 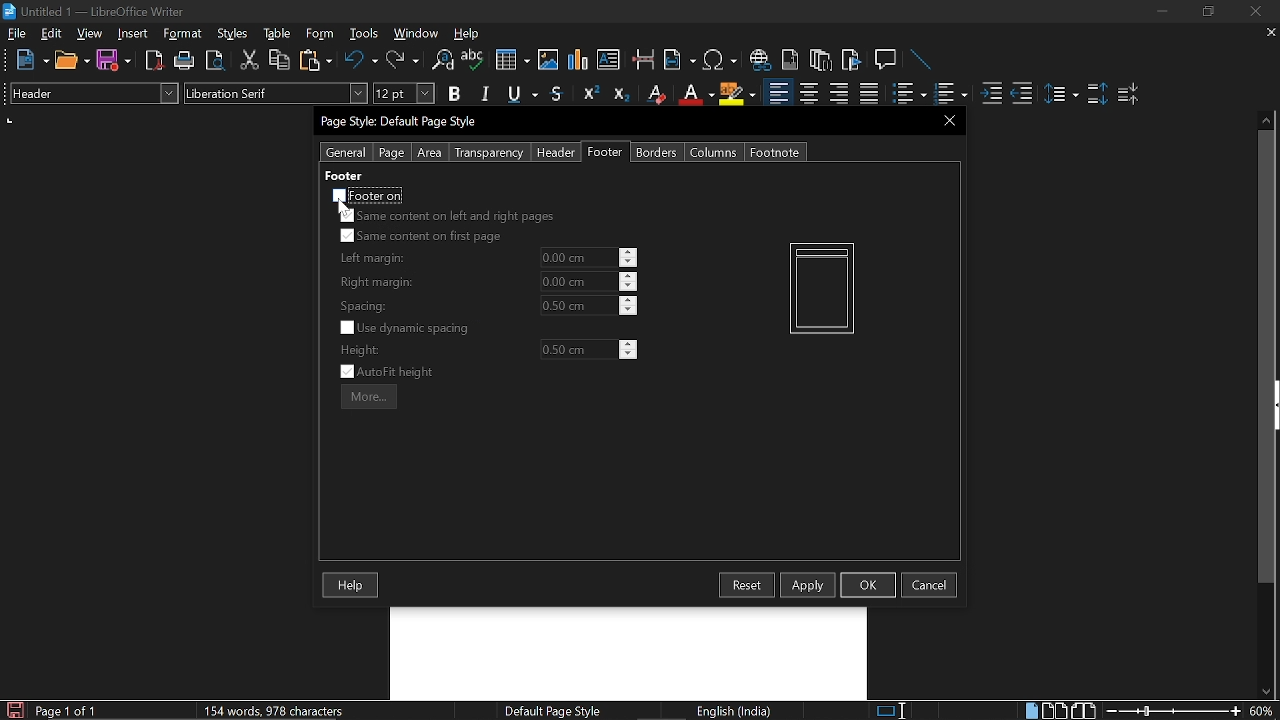 What do you see at coordinates (185, 61) in the screenshot?
I see `Print` at bounding box center [185, 61].